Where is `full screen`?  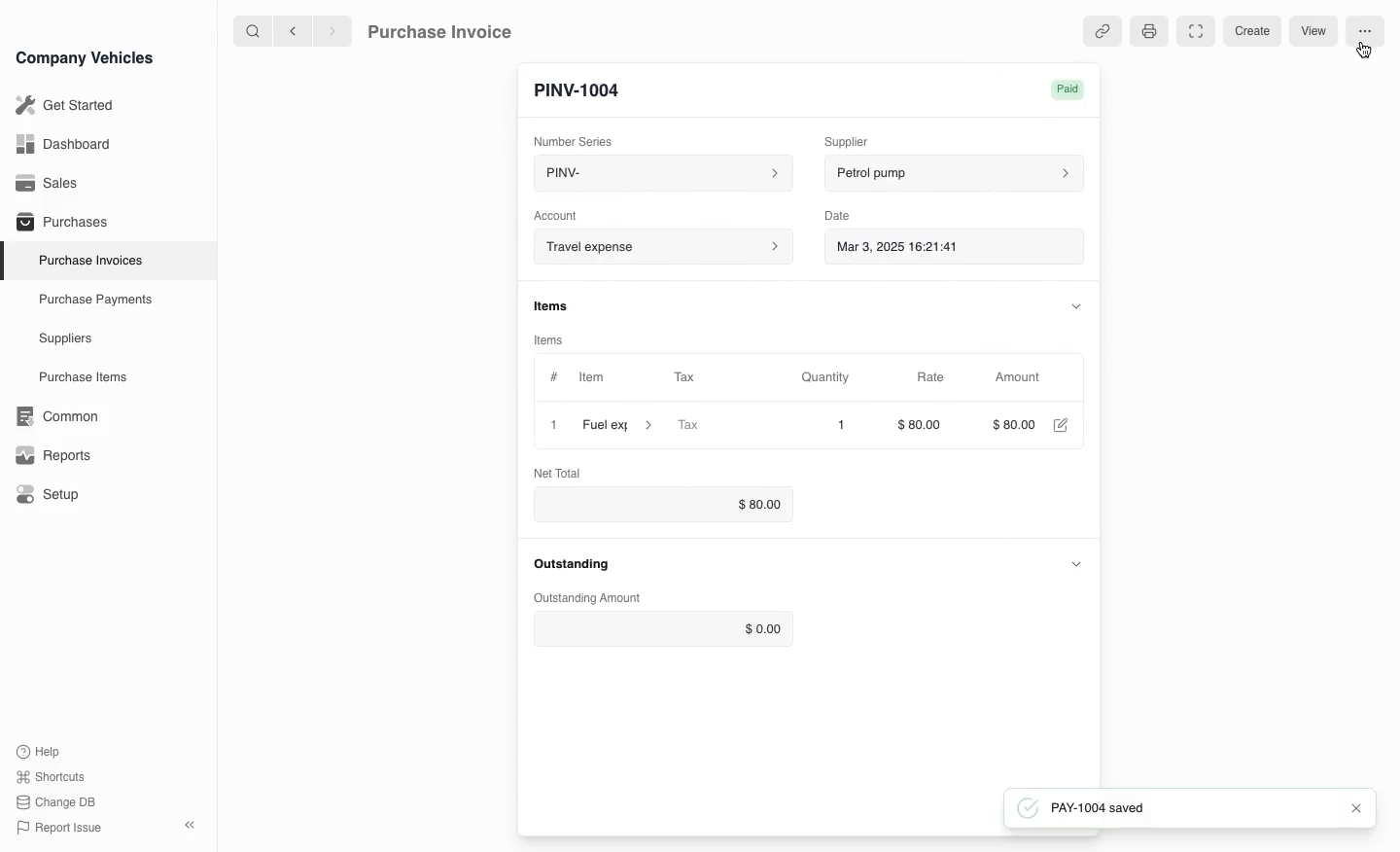 full screen is located at coordinates (1196, 31).